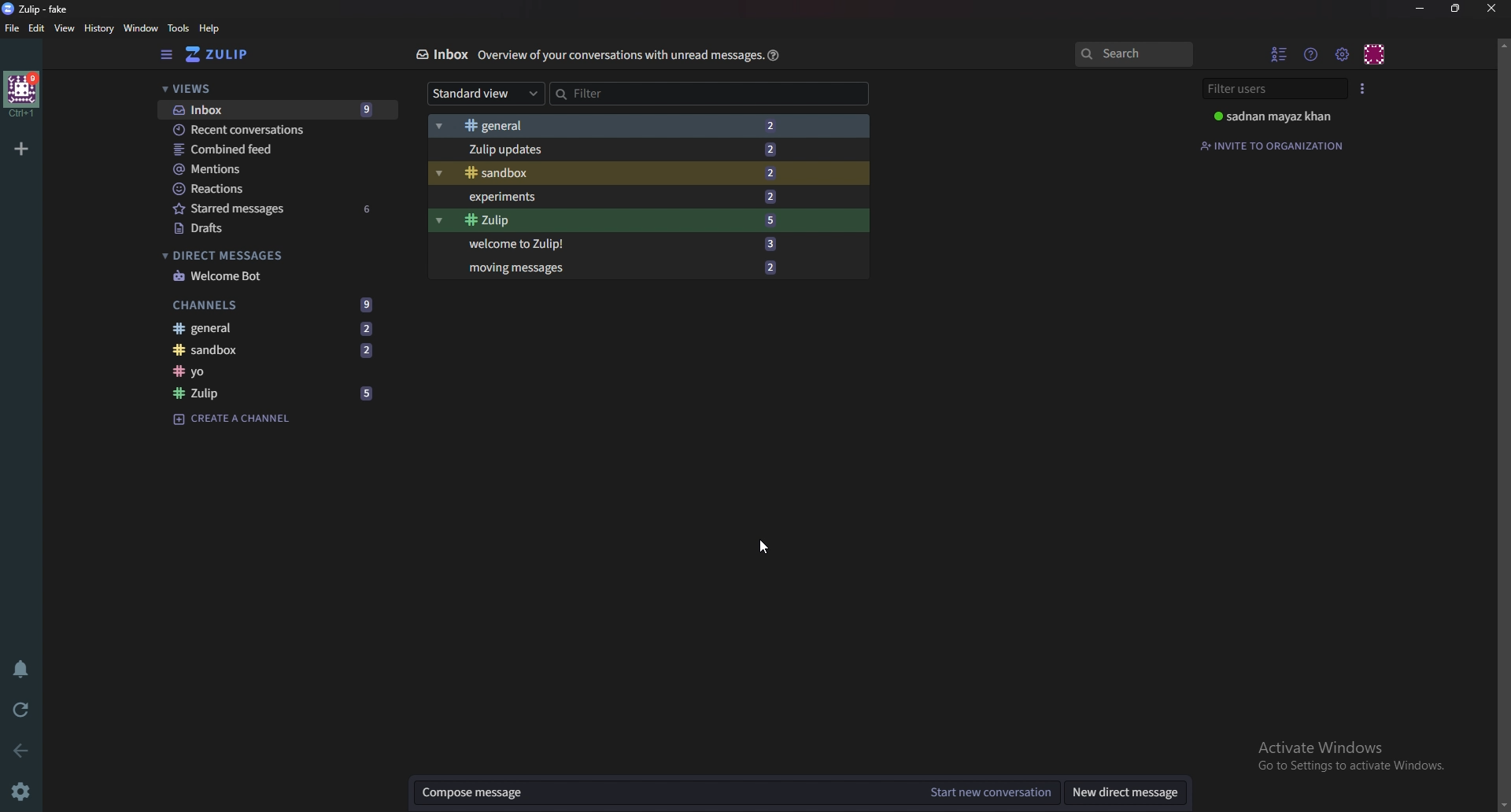  Describe the element at coordinates (767, 546) in the screenshot. I see `cursor` at that location.